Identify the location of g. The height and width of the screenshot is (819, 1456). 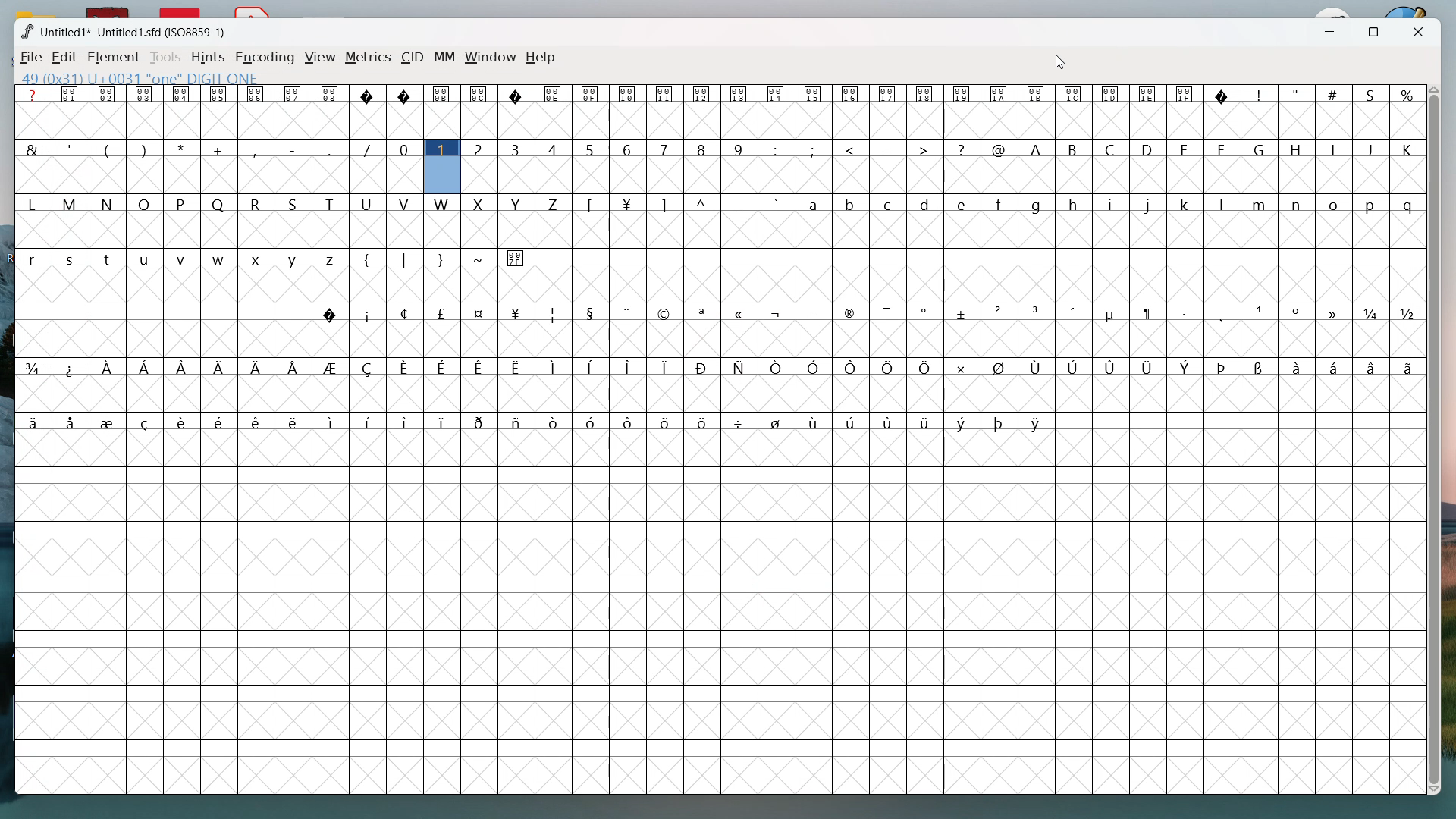
(1039, 203).